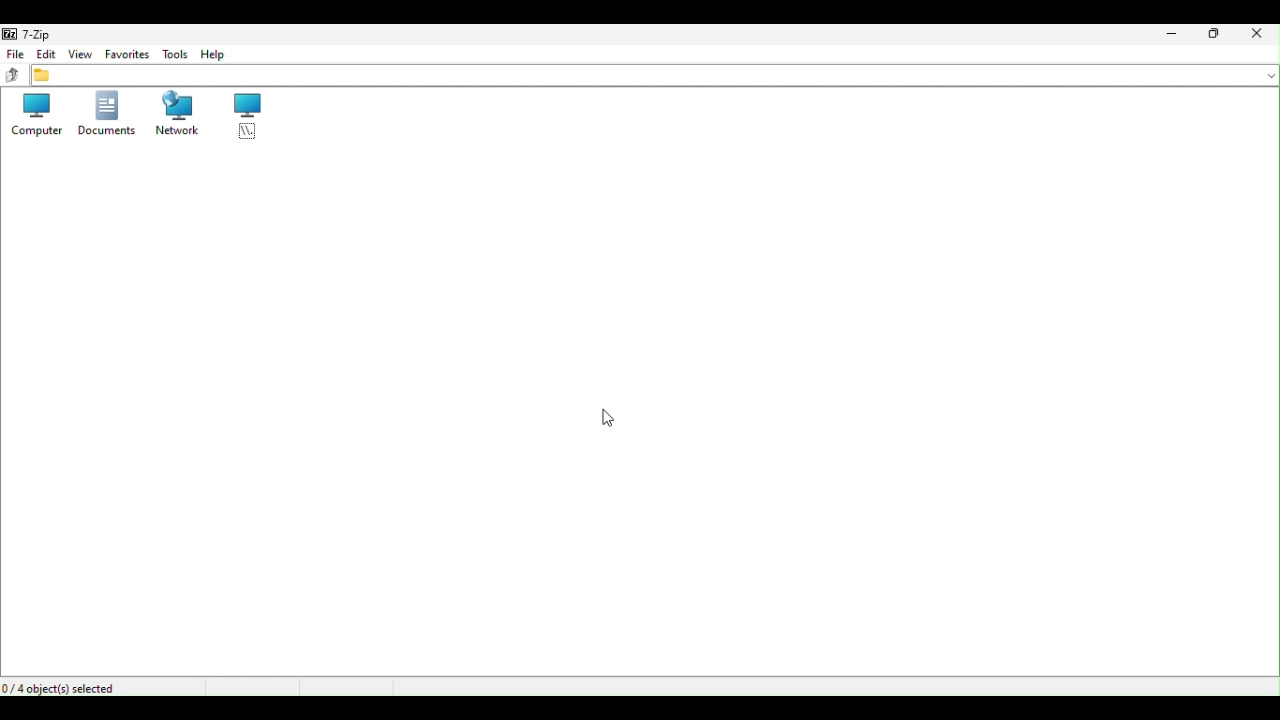  What do you see at coordinates (607, 415) in the screenshot?
I see `cursor` at bounding box center [607, 415].